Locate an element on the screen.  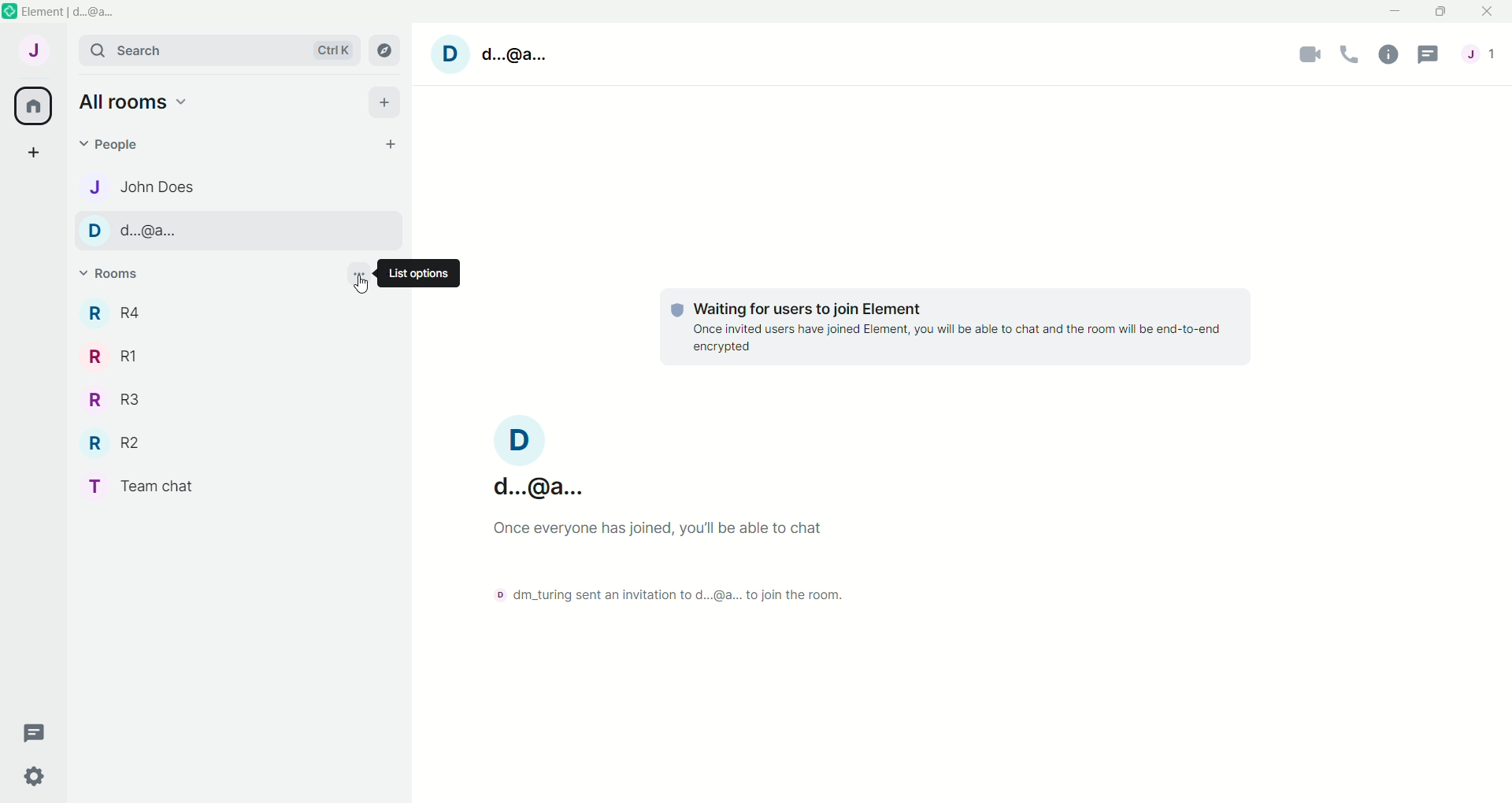
J John Does is located at coordinates (143, 188).